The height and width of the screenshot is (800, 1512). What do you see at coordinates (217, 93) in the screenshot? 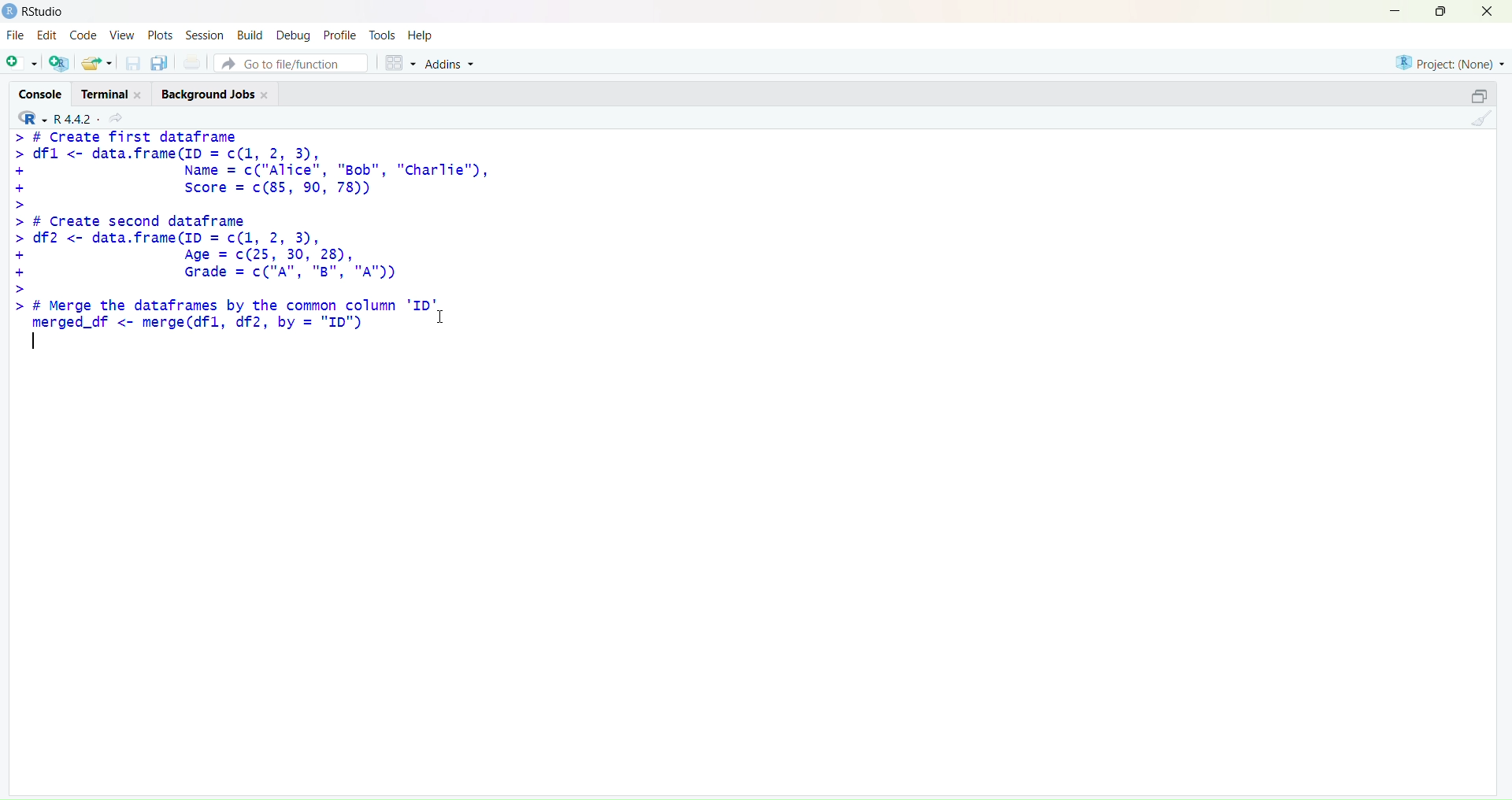
I see `Background Jobs` at bounding box center [217, 93].